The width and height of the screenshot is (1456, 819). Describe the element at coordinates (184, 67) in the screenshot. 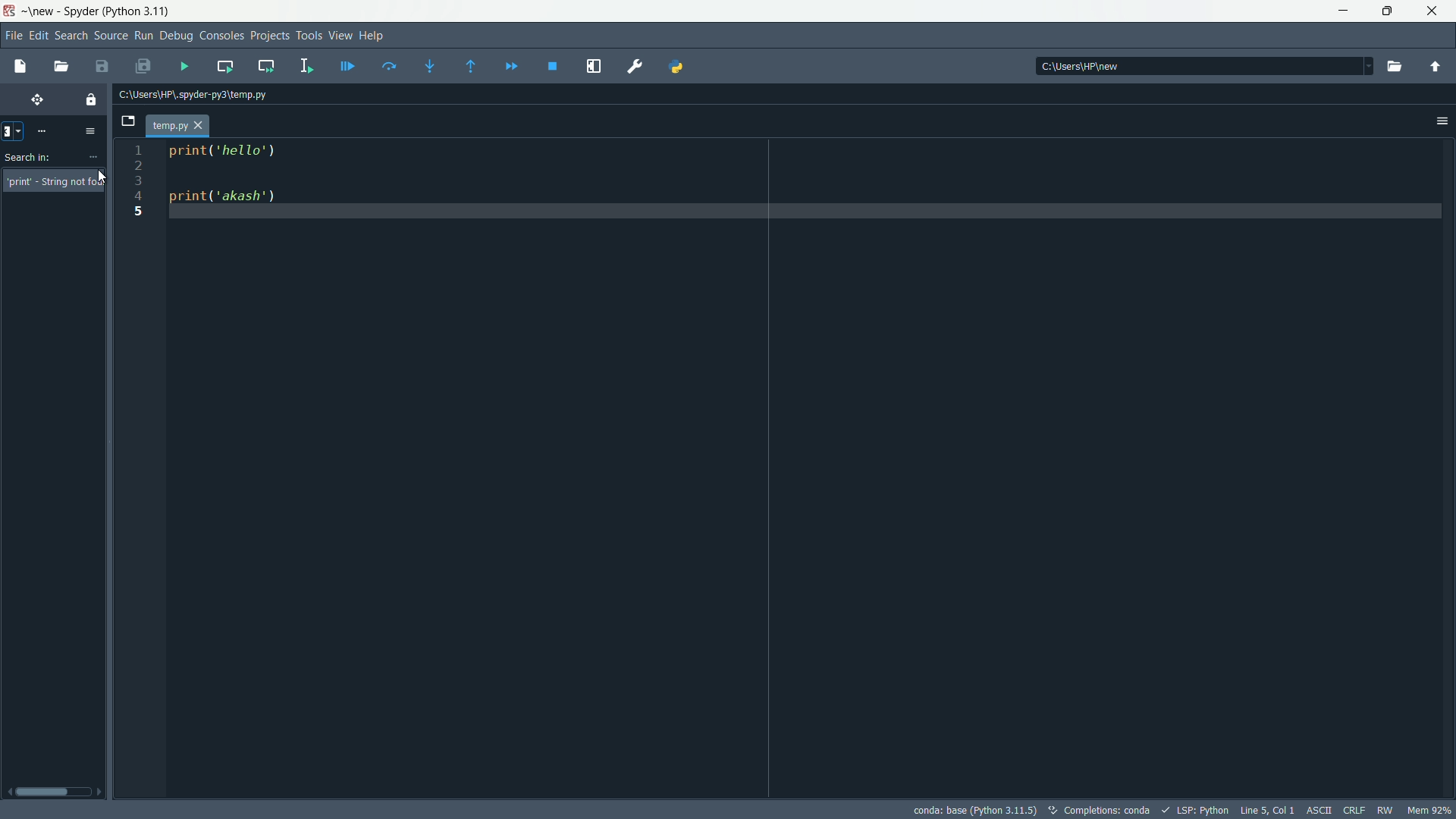

I see `run file` at that location.